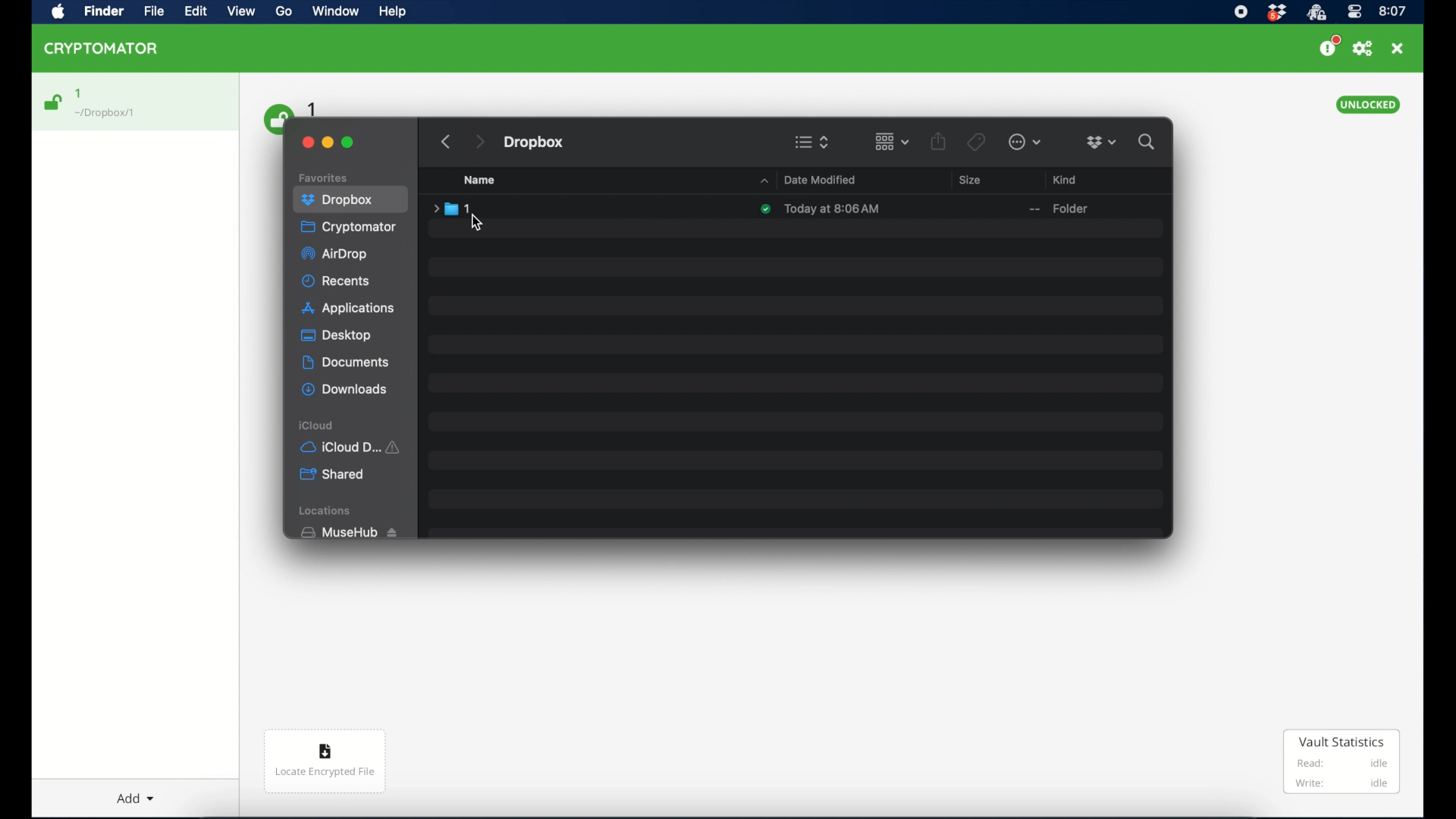  What do you see at coordinates (317, 425) in the screenshot?
I see `icloud` at bounding box center [317, 425].